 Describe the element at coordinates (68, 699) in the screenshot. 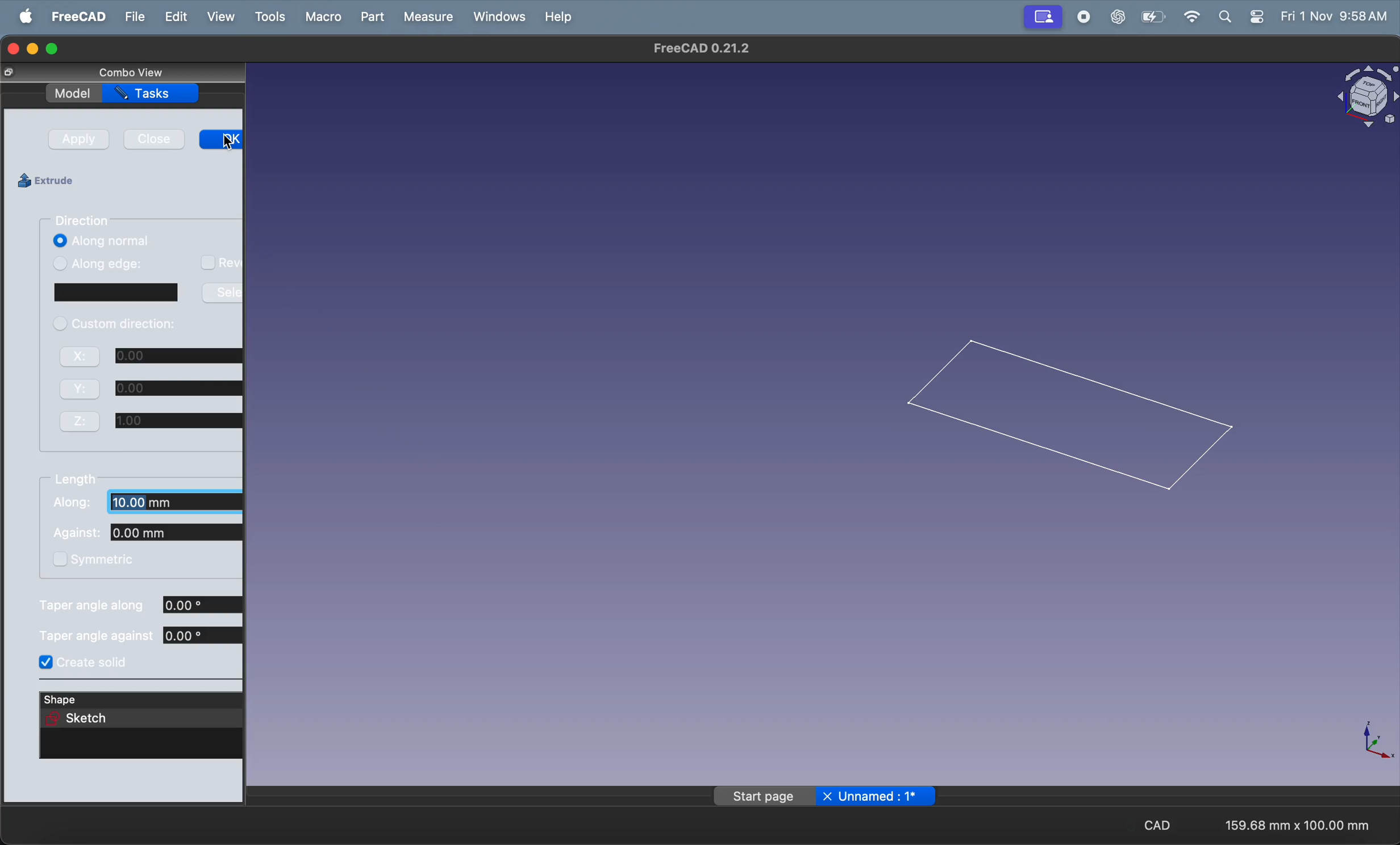

I see `shape sketch` at that location.